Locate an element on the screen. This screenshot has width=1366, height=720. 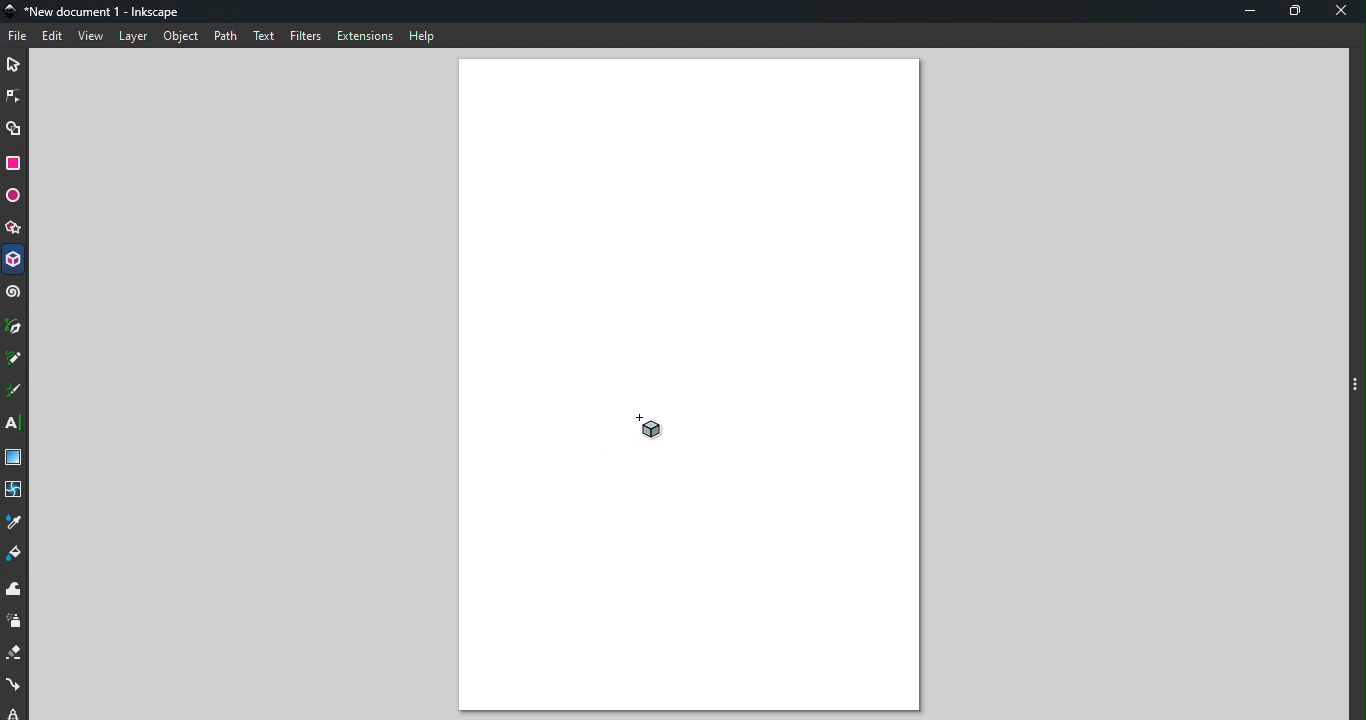
Text tool is located at coordinates (17, 425).